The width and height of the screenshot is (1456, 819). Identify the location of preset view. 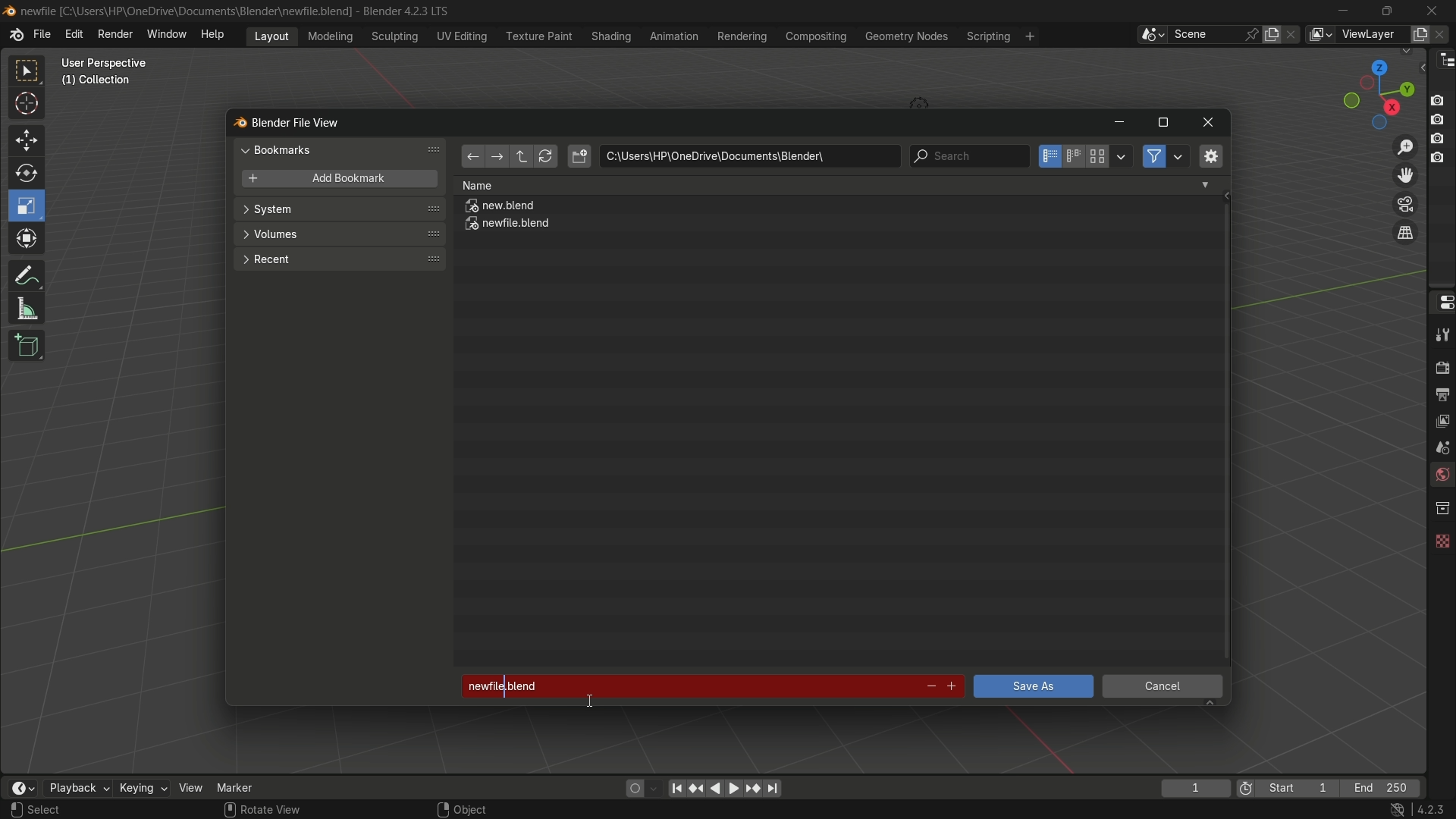
(1374, 91).